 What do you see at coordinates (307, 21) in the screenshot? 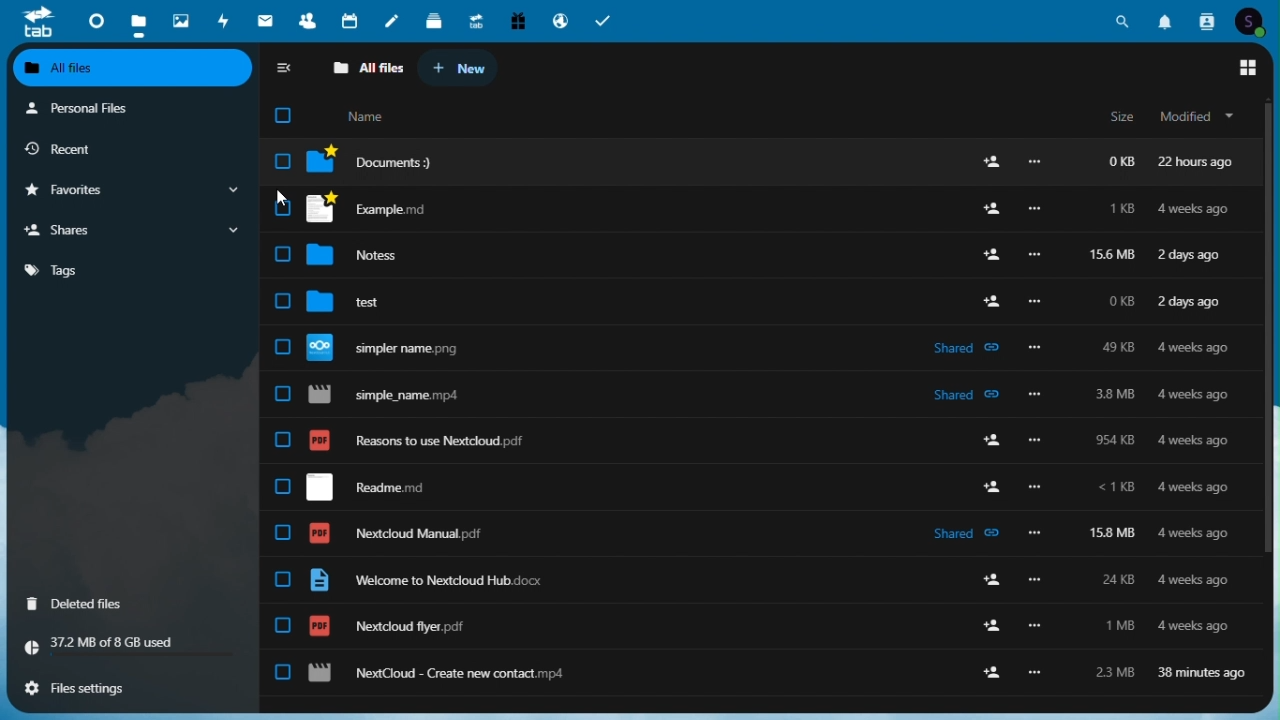
I see `Contacts` at bounding box center [307, 21].